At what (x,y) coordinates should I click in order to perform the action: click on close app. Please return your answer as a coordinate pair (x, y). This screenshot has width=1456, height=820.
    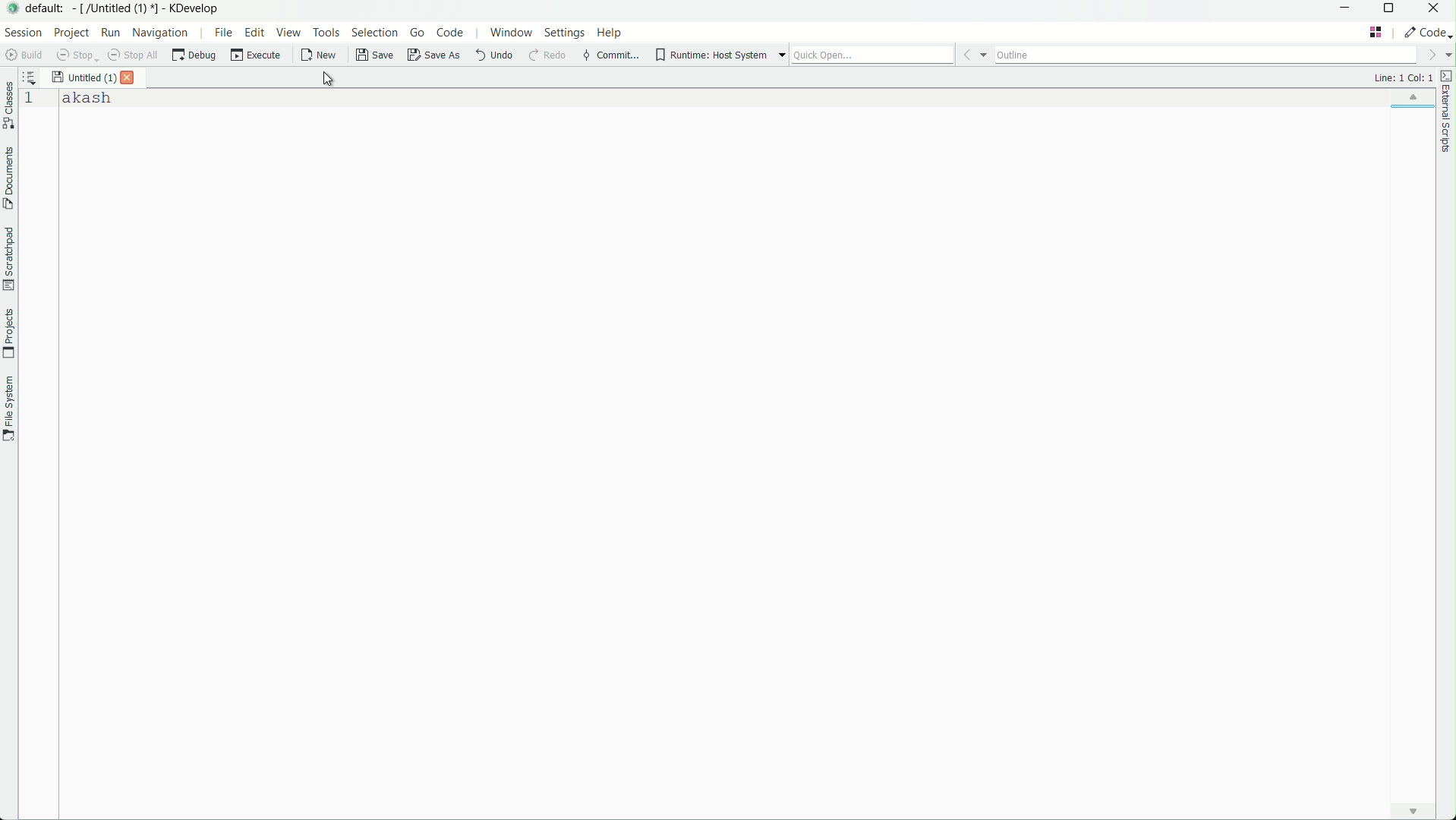
    Looking at the image, I should click on (1439, 9).